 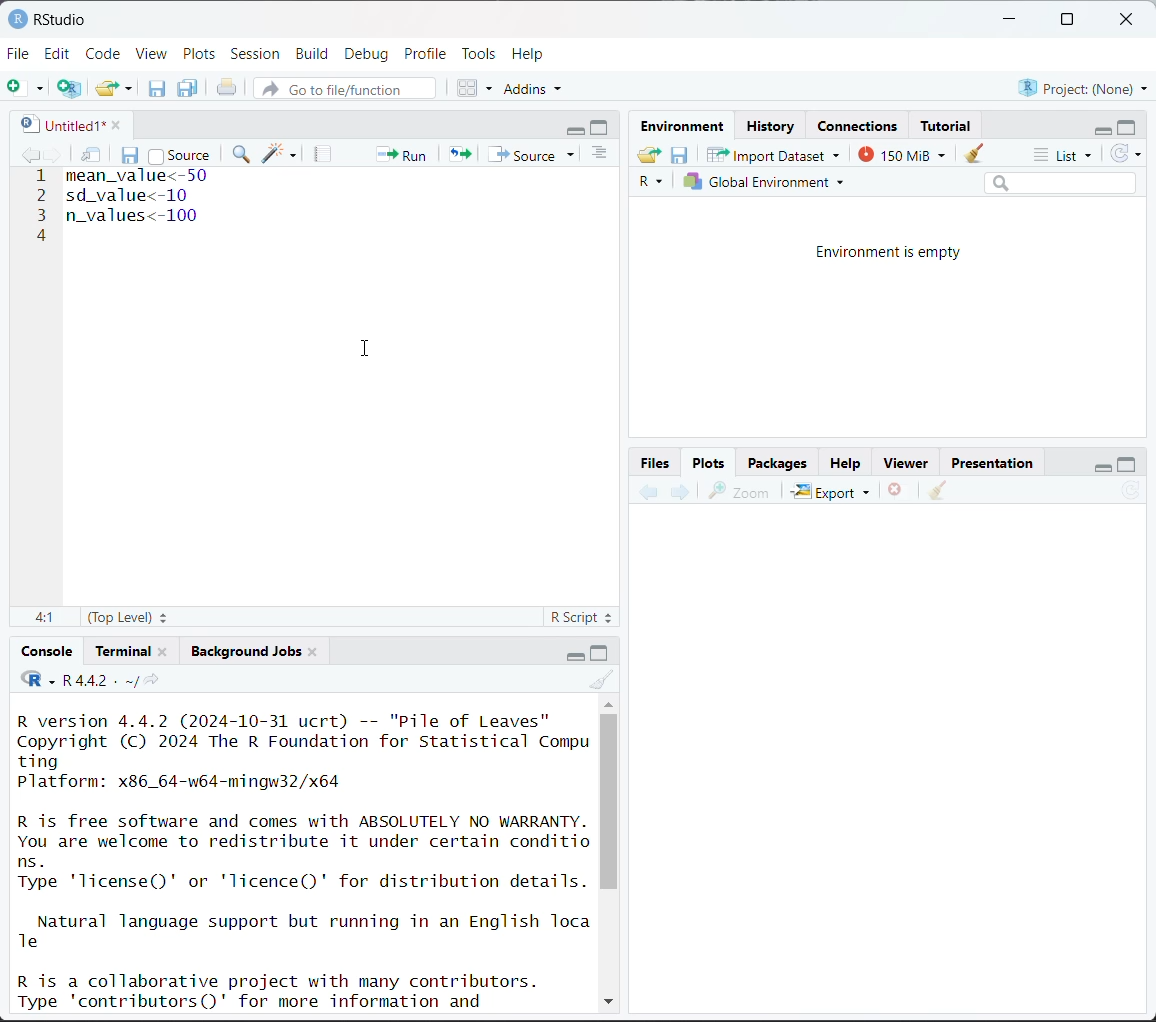 What do you see at coordinates (654, 183) in the screenshot?
I see `R` at bounding box center [654, 183].